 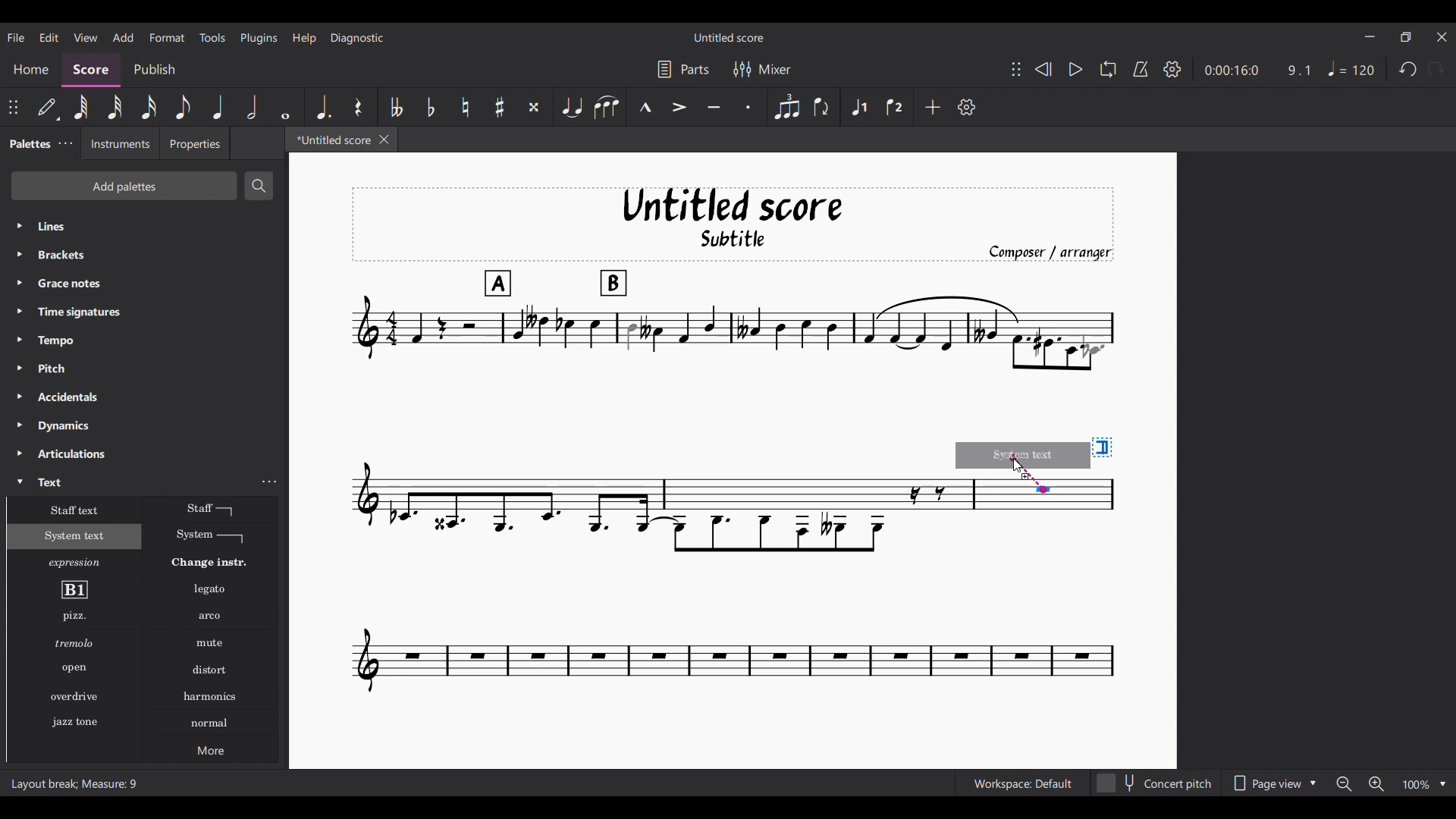 What do you see at coordinates (74, 696) in the screenshot?
I see `Overdrive` at bounding box center [74, 696].